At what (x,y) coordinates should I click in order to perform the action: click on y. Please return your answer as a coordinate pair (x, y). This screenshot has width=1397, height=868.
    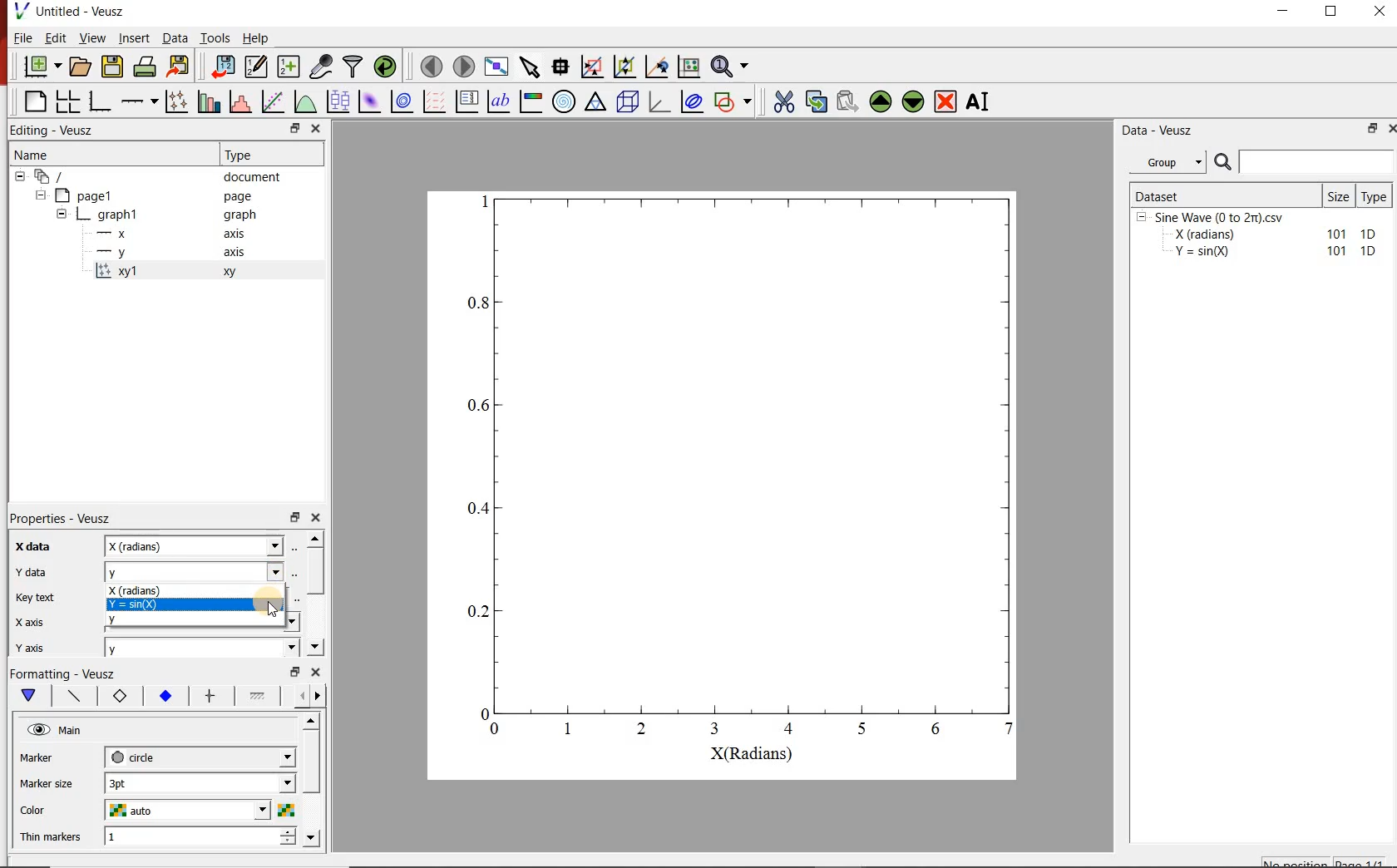
    Looking at the image, I should click on (207, 624).